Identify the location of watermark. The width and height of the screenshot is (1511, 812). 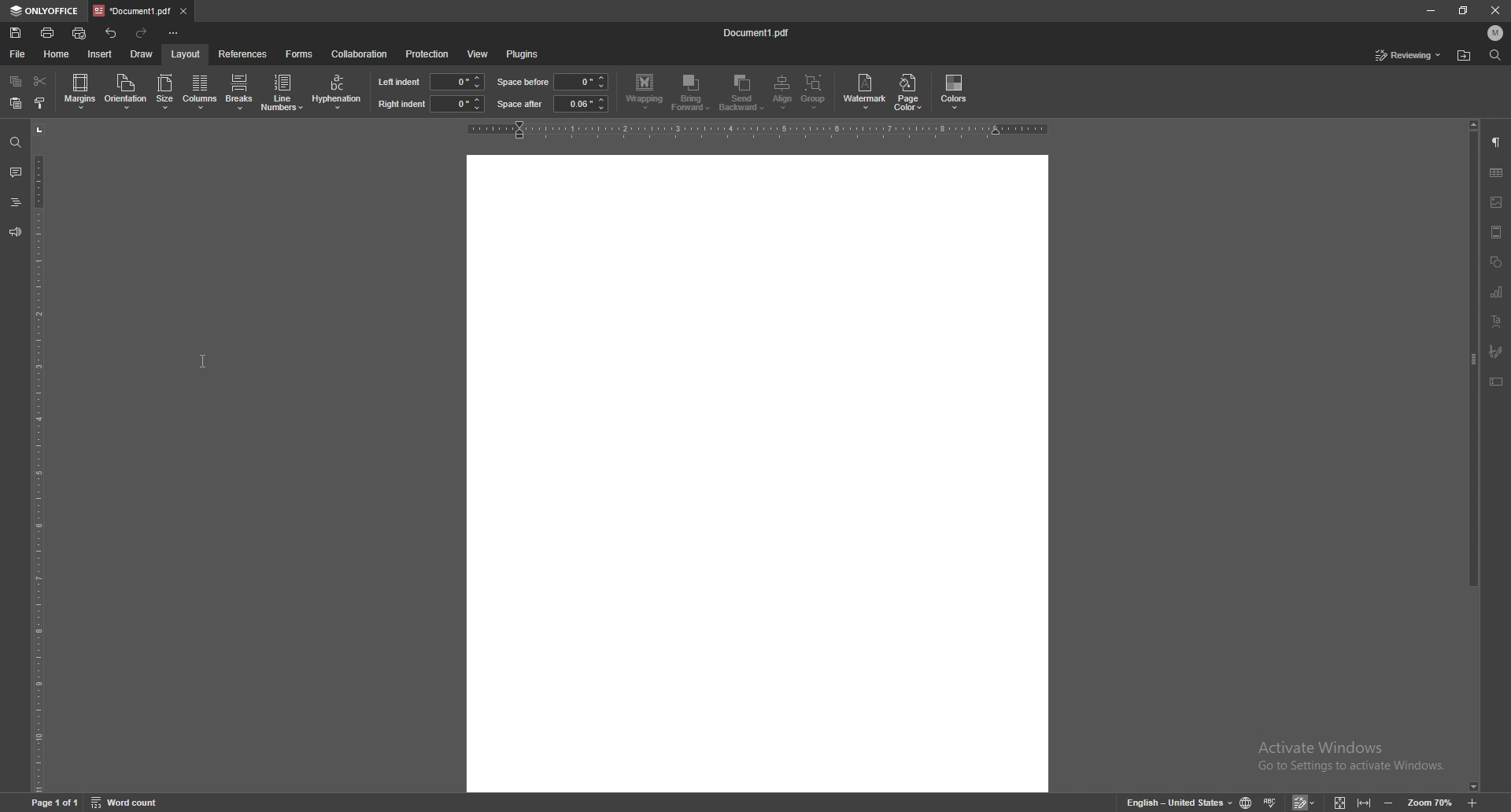
(866, 90).